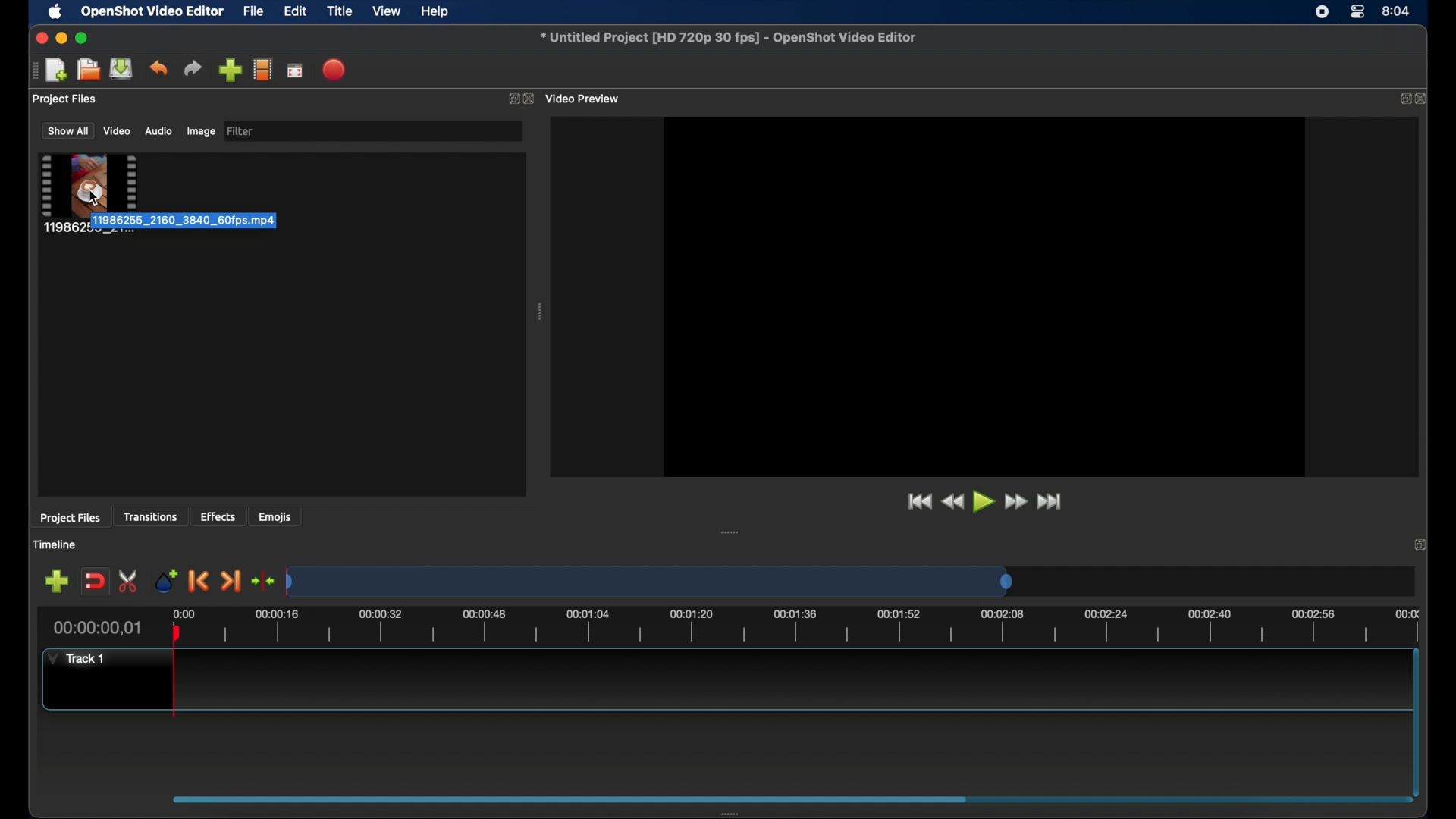  Describe the element at coordinates (218, 516) in the screenshot. I see `effects` at that location.